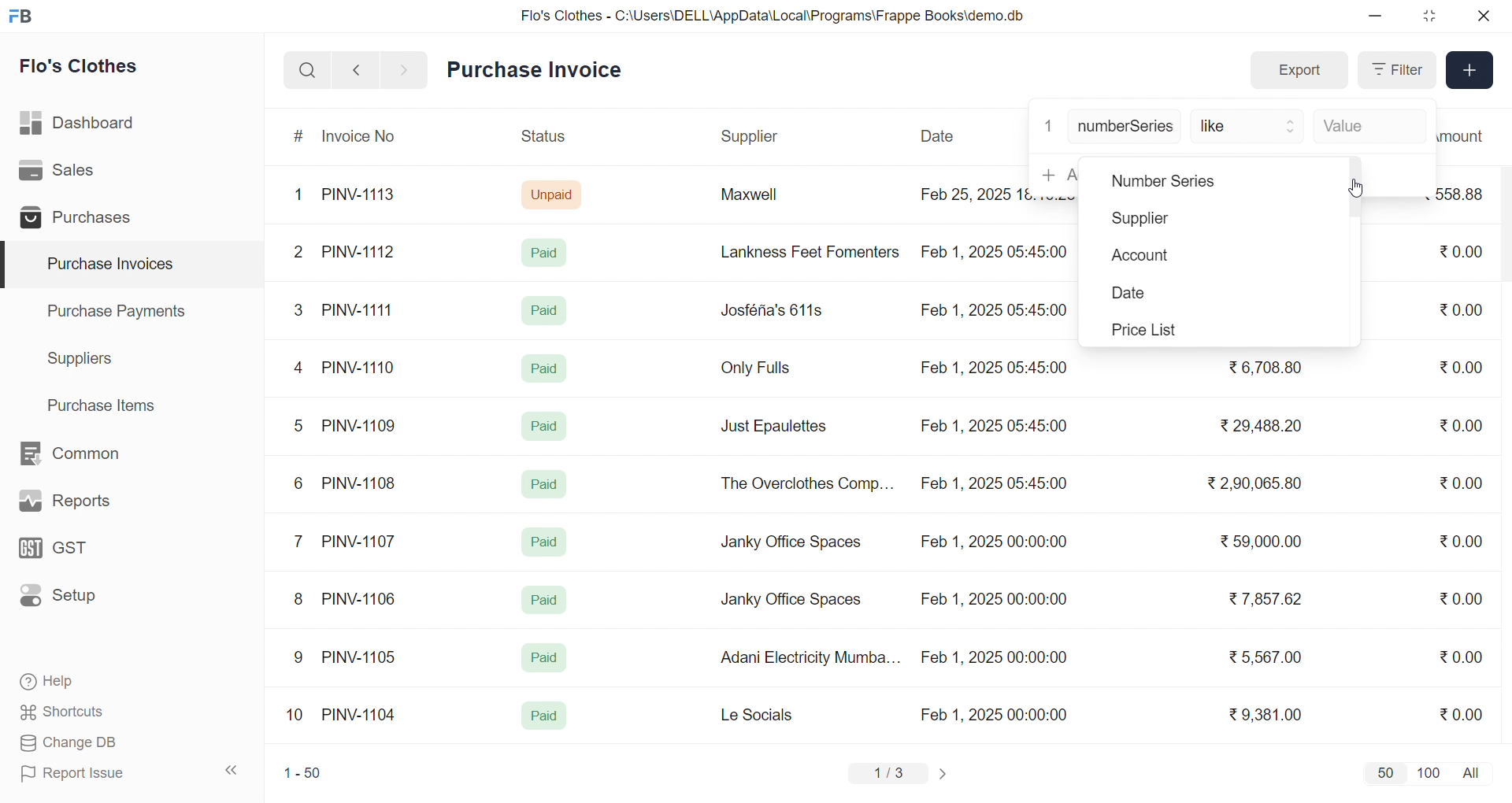  What do you see at coordinates (365, 599) in the screenshot?
I see `PINV-1106` at bounding box center [365, 599].